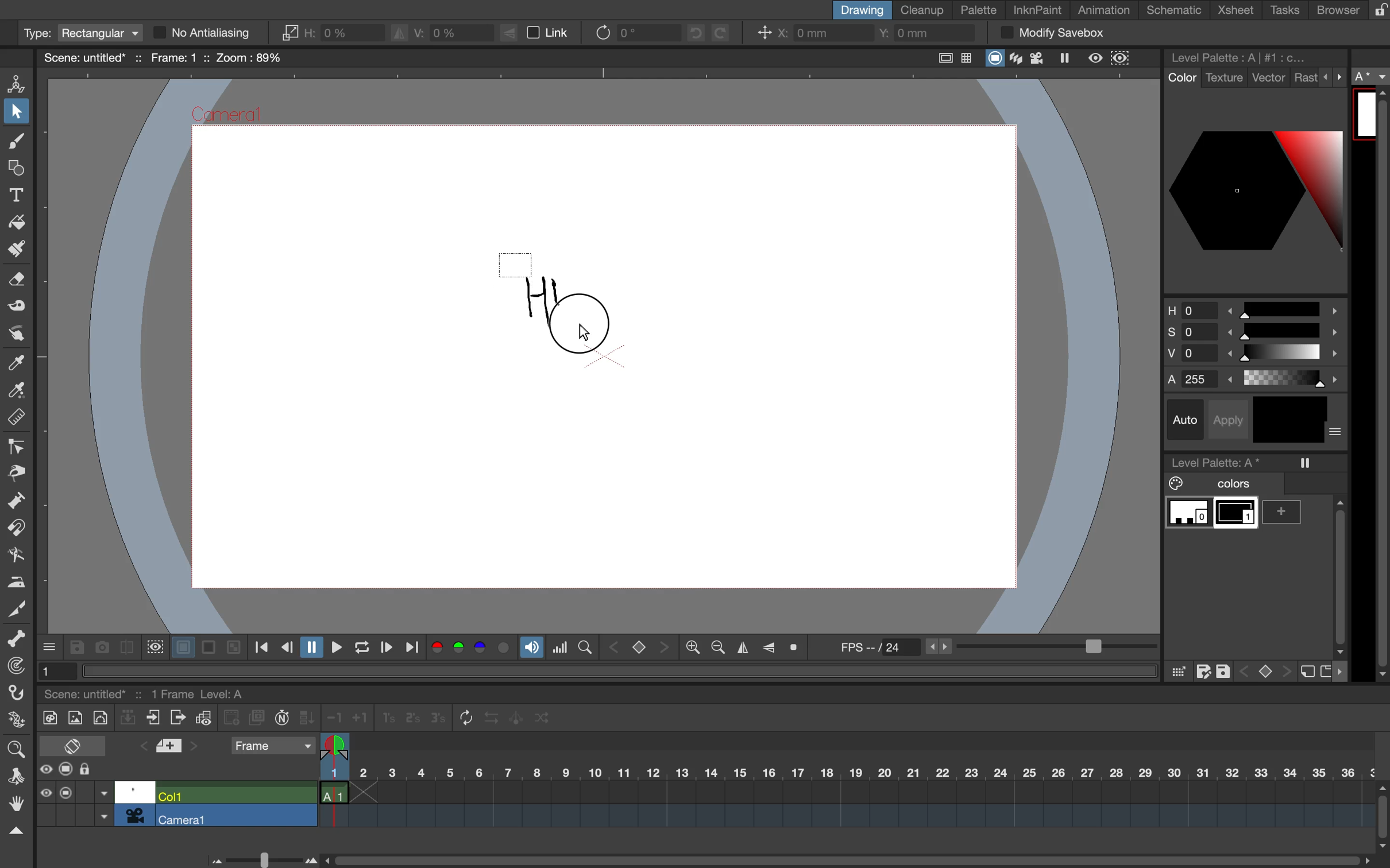 Image resolution: width=1390 pixels, height=868 pixels. What do you see at coordinates (921, 34) in the screenshot?
I see `y coordinate` at bounding box center [921, 34].